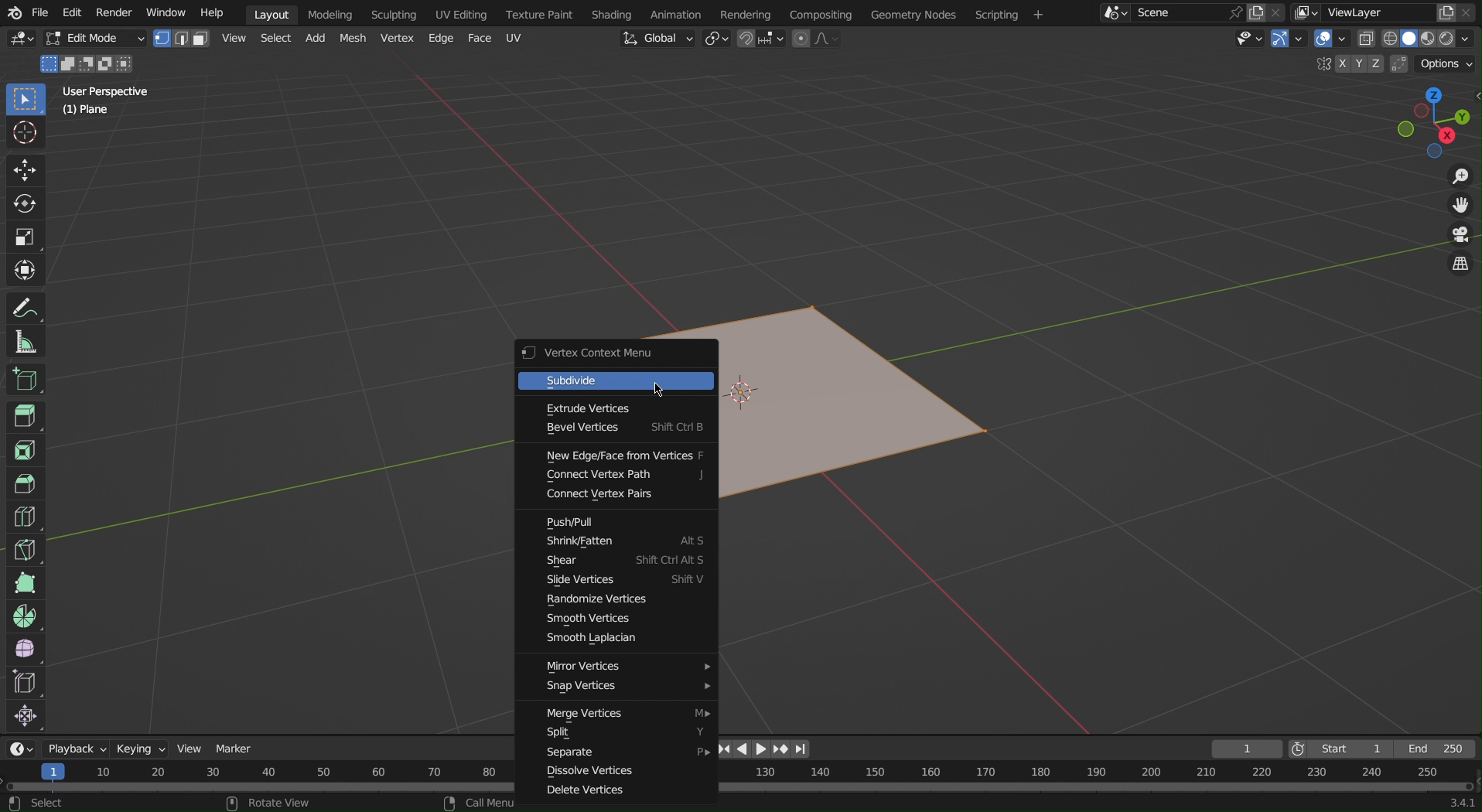 The width and height of the screenshot is (1482, 812). I want to click on Texture Paint, so click(541, 12).